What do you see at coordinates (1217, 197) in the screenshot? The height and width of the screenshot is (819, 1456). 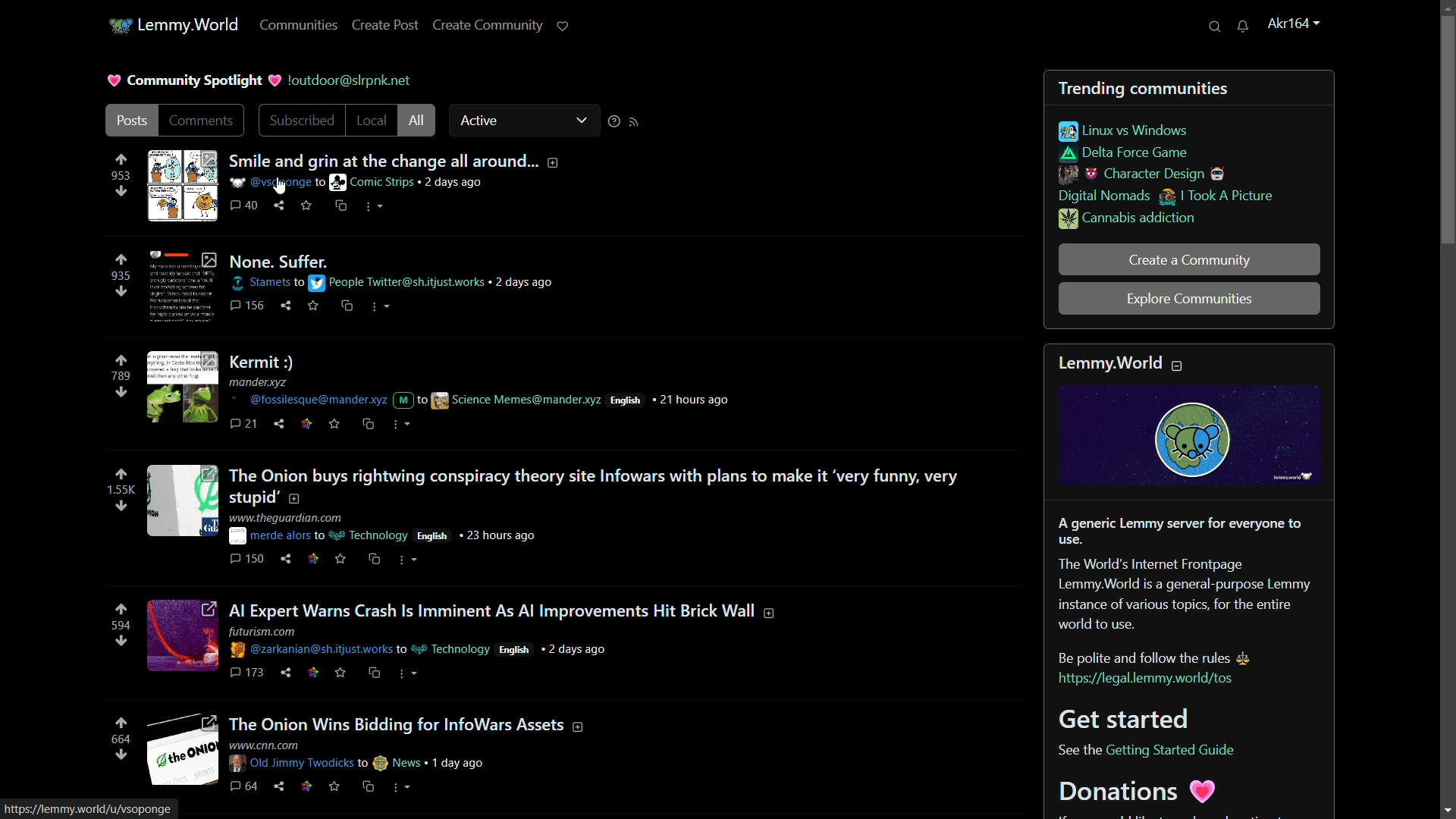 I see `i took a picture` at bounding box center [1217, 197].